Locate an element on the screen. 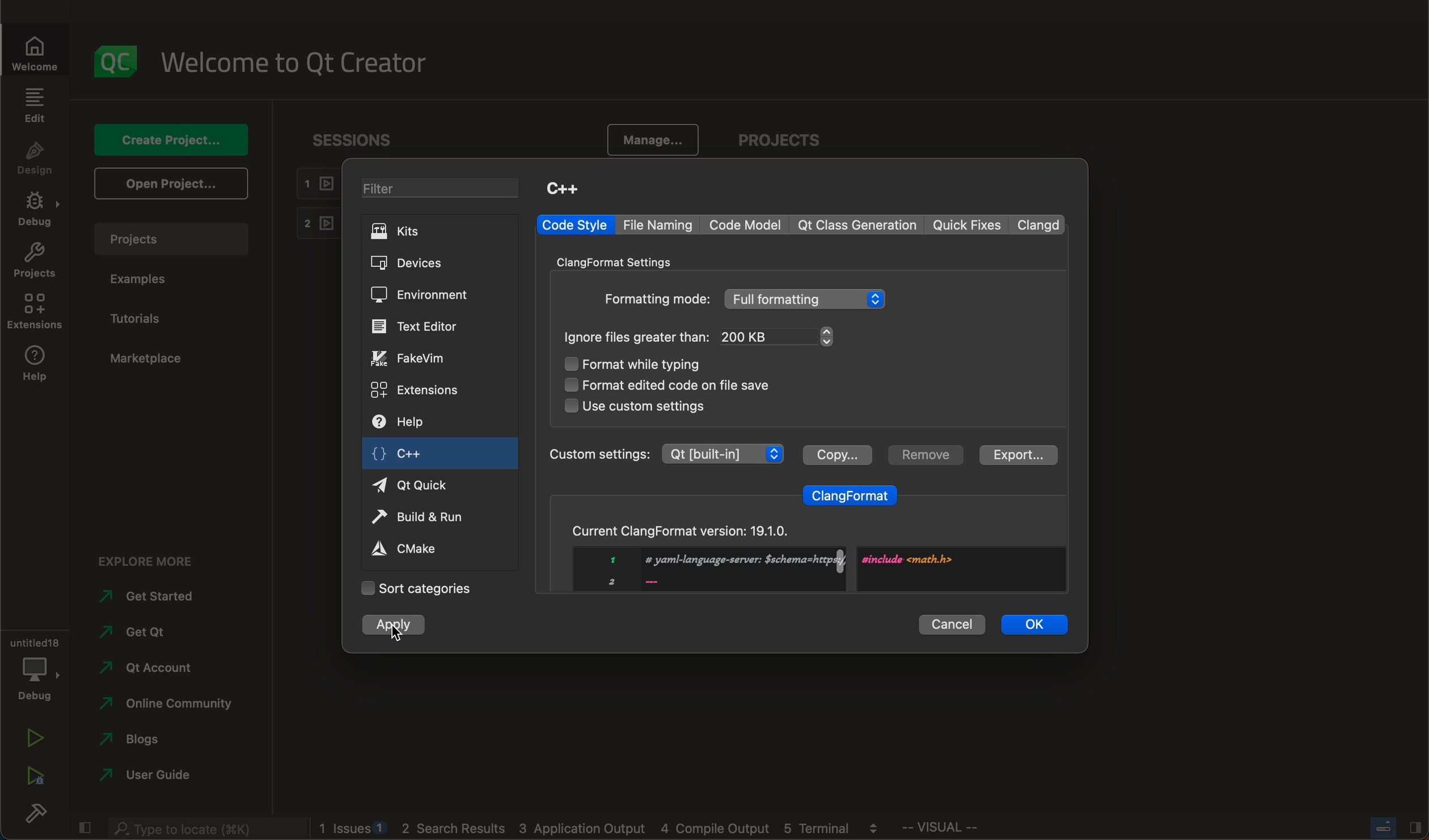 The image size is (1429, 840). settings is located at coordinates (623, 261).